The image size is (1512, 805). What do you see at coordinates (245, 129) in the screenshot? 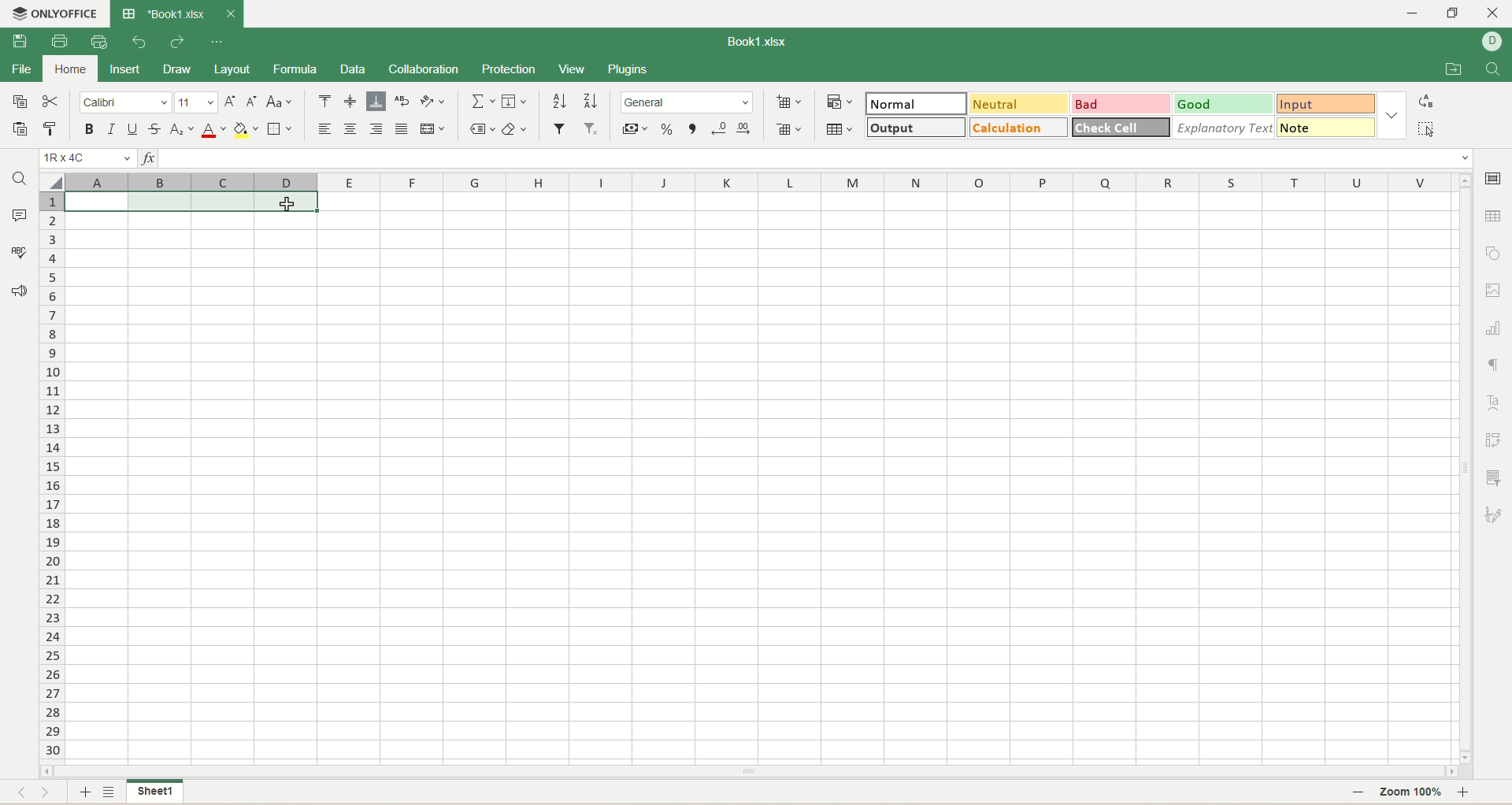
I see `background color` at bounding box center [245, 129].